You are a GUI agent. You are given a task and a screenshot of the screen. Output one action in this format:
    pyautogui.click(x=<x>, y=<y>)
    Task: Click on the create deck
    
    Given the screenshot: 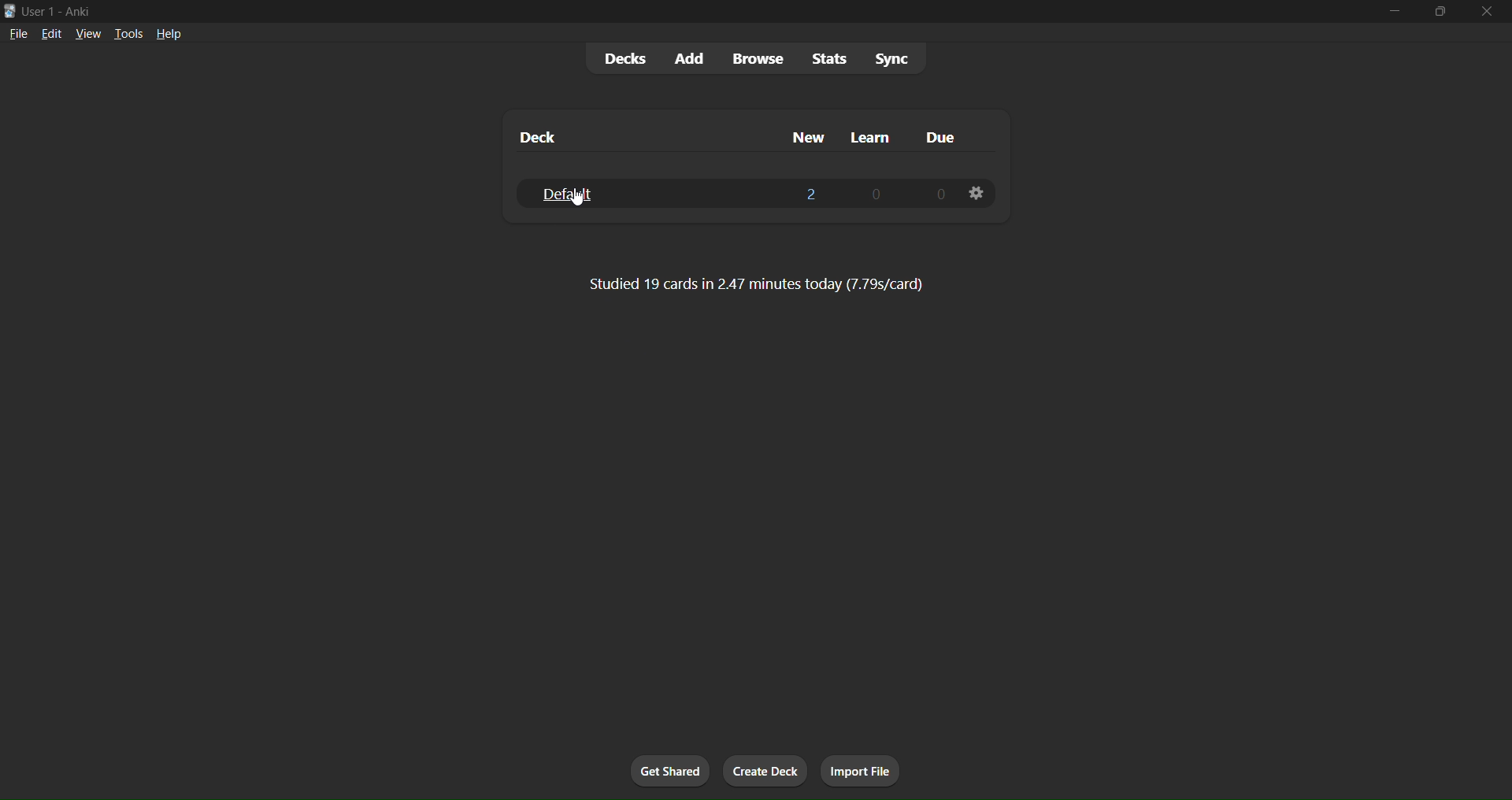 What is the action you would take?
    pyautogui.click(x=765, y=770)
    